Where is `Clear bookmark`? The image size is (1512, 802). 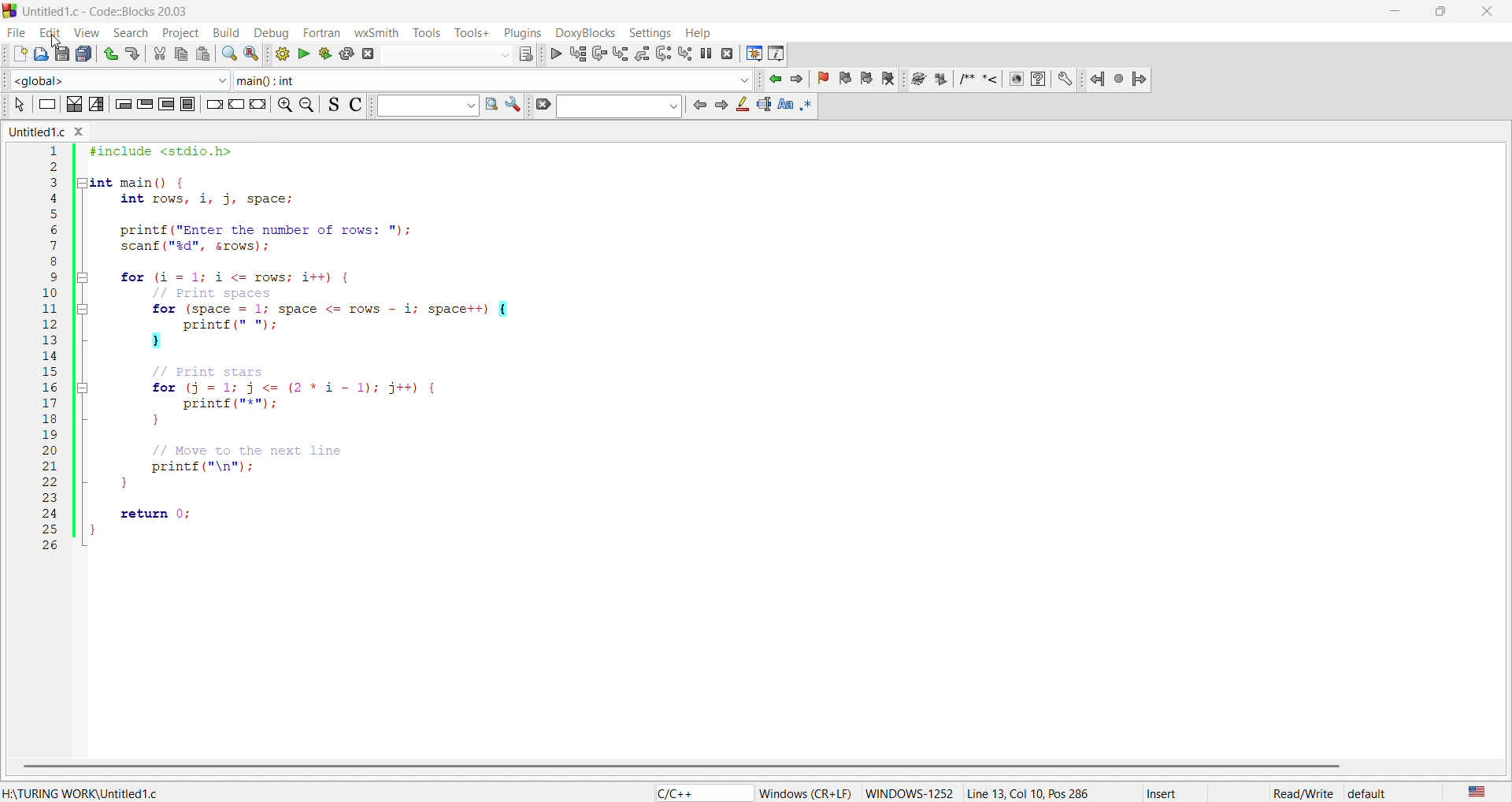 Clear bookmark is located at coordinates (888, 80).